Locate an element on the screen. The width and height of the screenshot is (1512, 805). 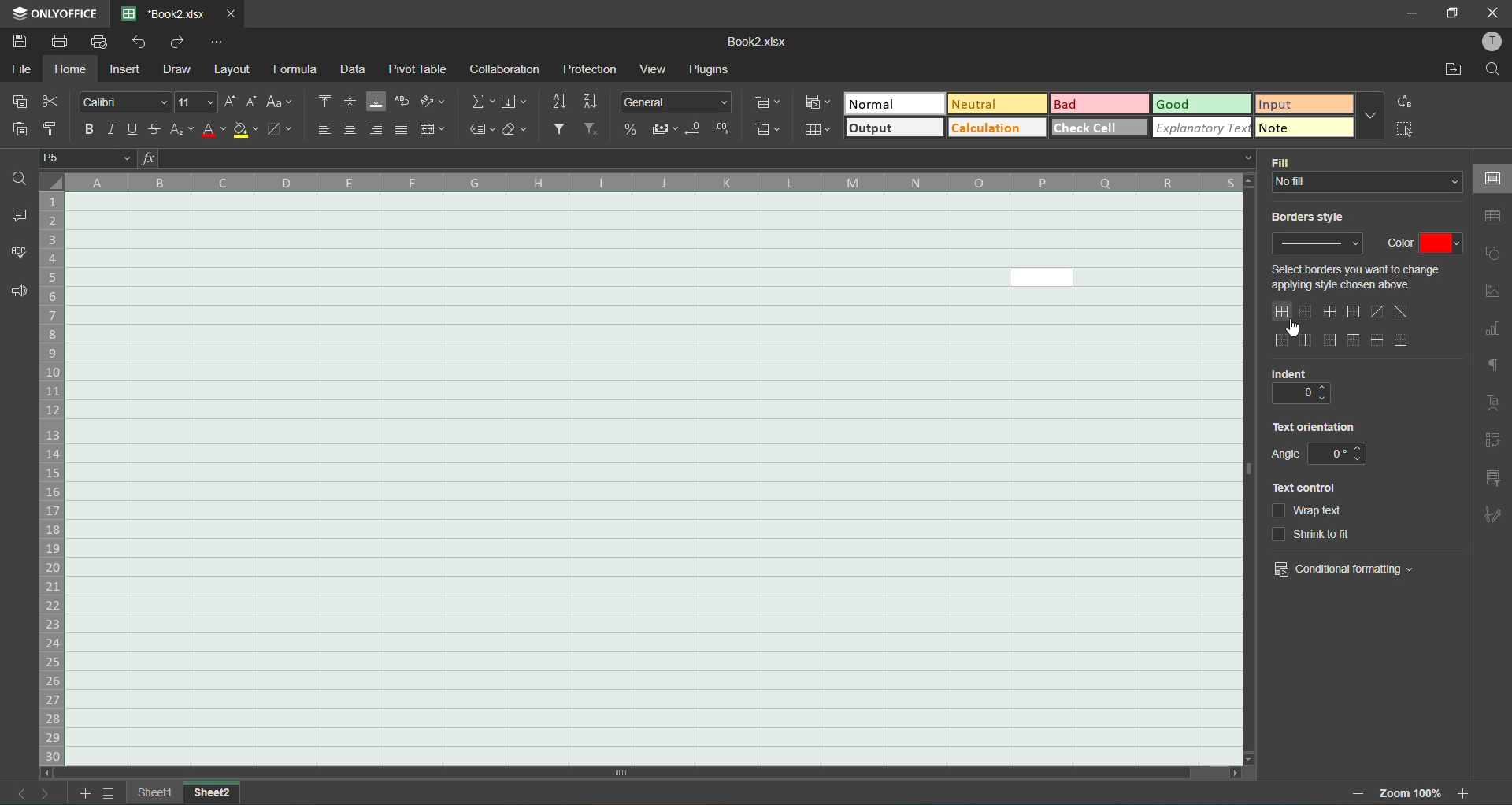
named ranges is located at coordinates (484, 133).